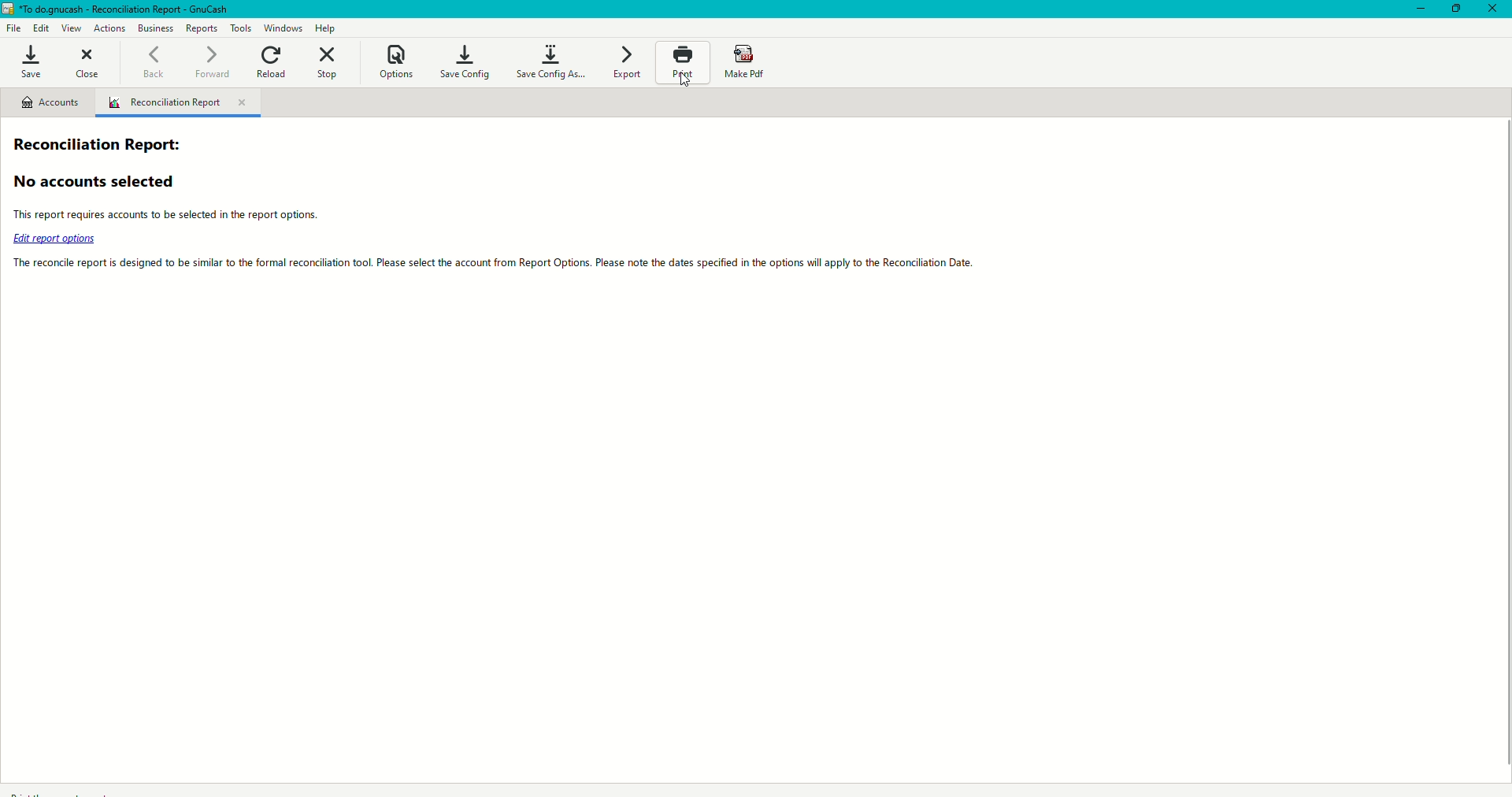 The image size is (1512, 797). Describe the element at coordinates (198, 28) in the screenshot. I see `Reports` at that location.